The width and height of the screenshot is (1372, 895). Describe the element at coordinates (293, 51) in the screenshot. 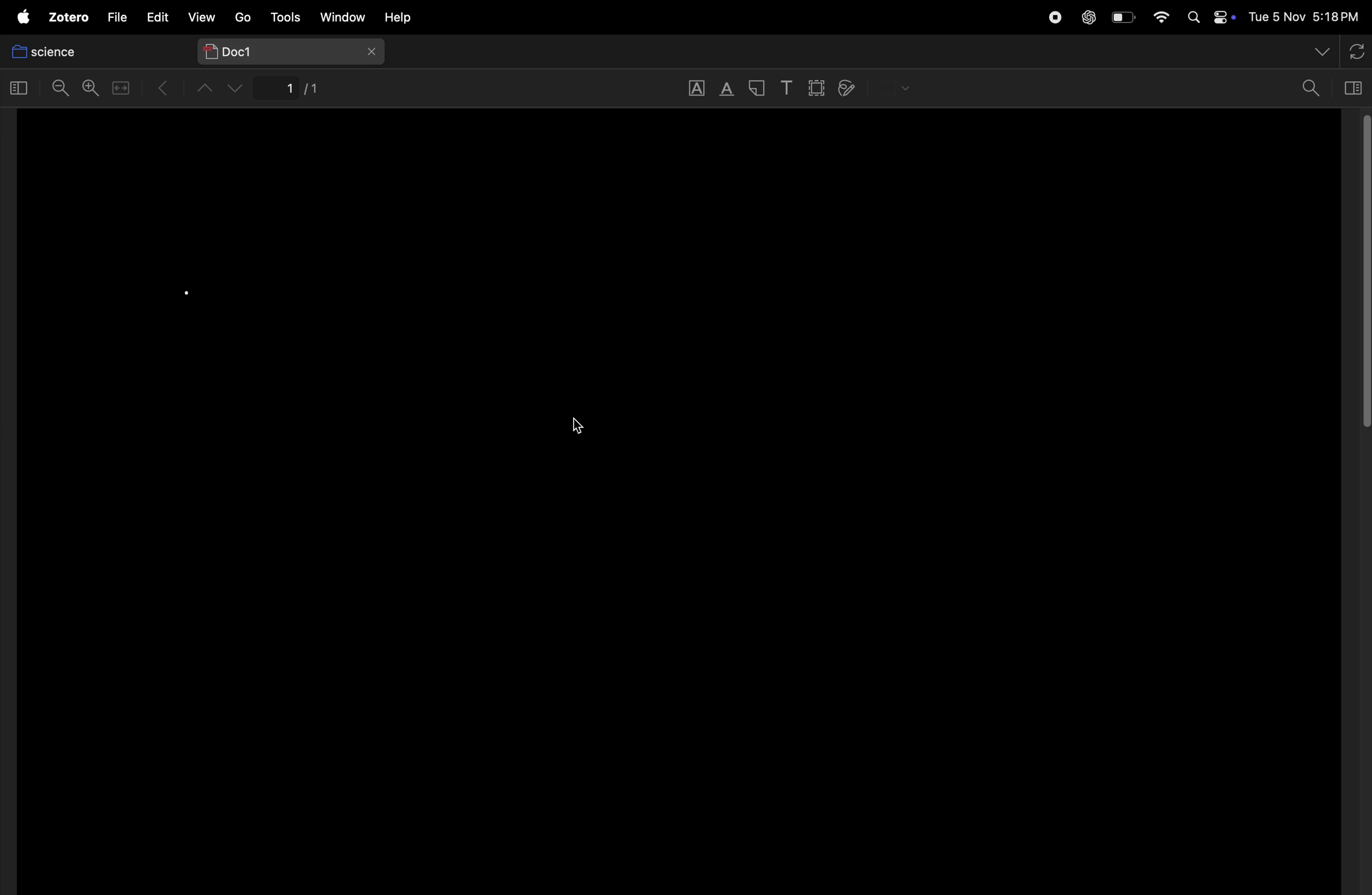

I see `doc1` at that location.